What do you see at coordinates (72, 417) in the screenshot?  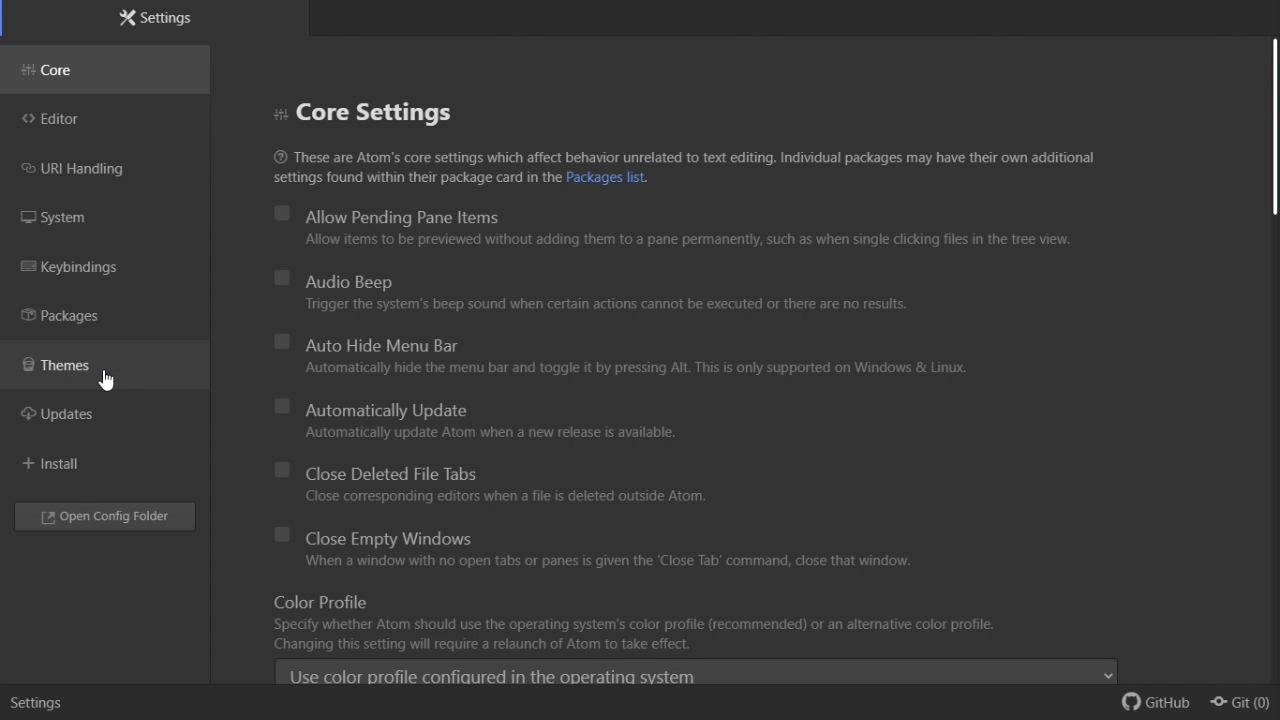 I see `updates` at bounding box center [72, 417].